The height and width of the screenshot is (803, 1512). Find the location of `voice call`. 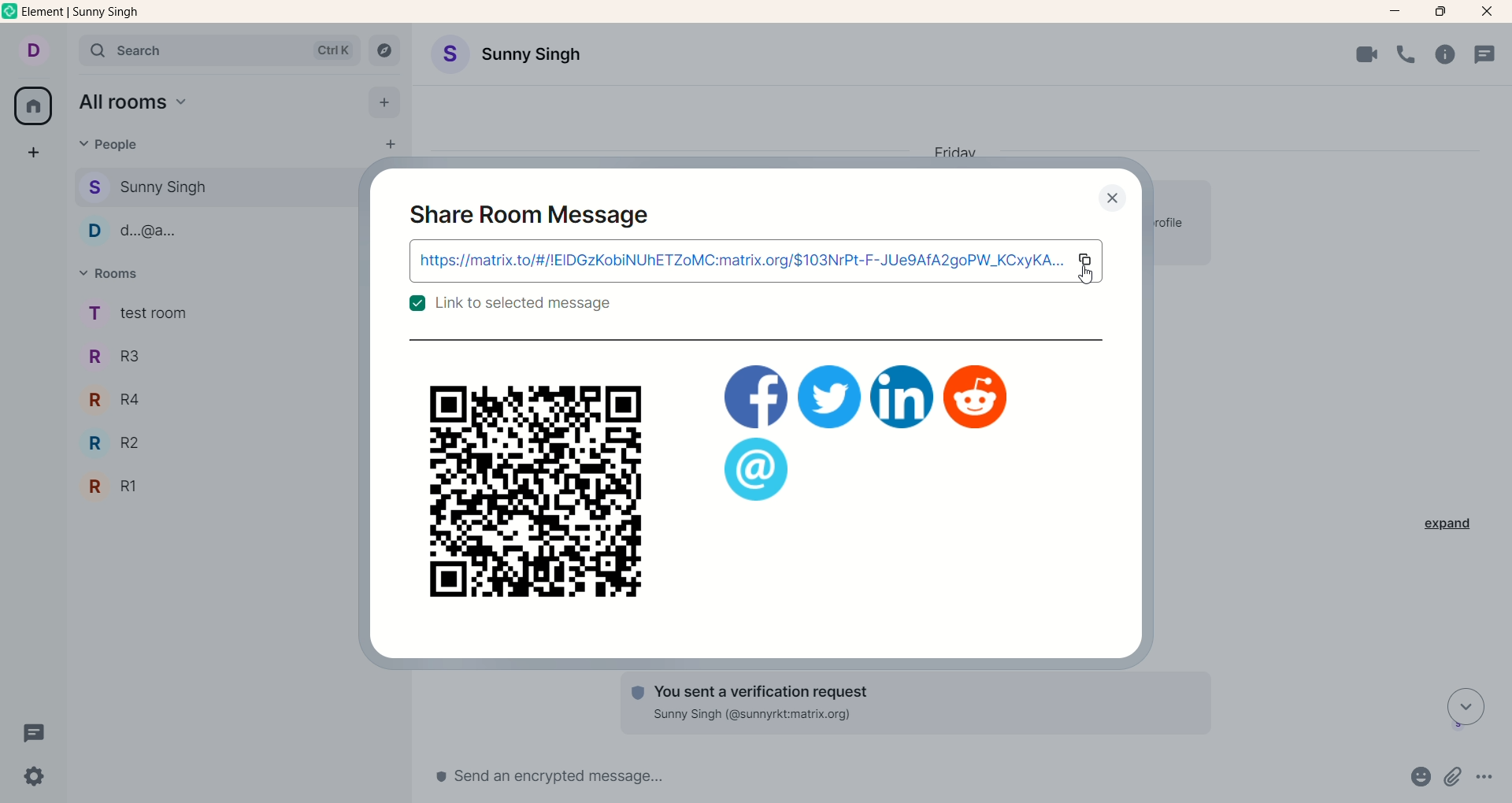

voice call is located at coordinates (1410, 56).